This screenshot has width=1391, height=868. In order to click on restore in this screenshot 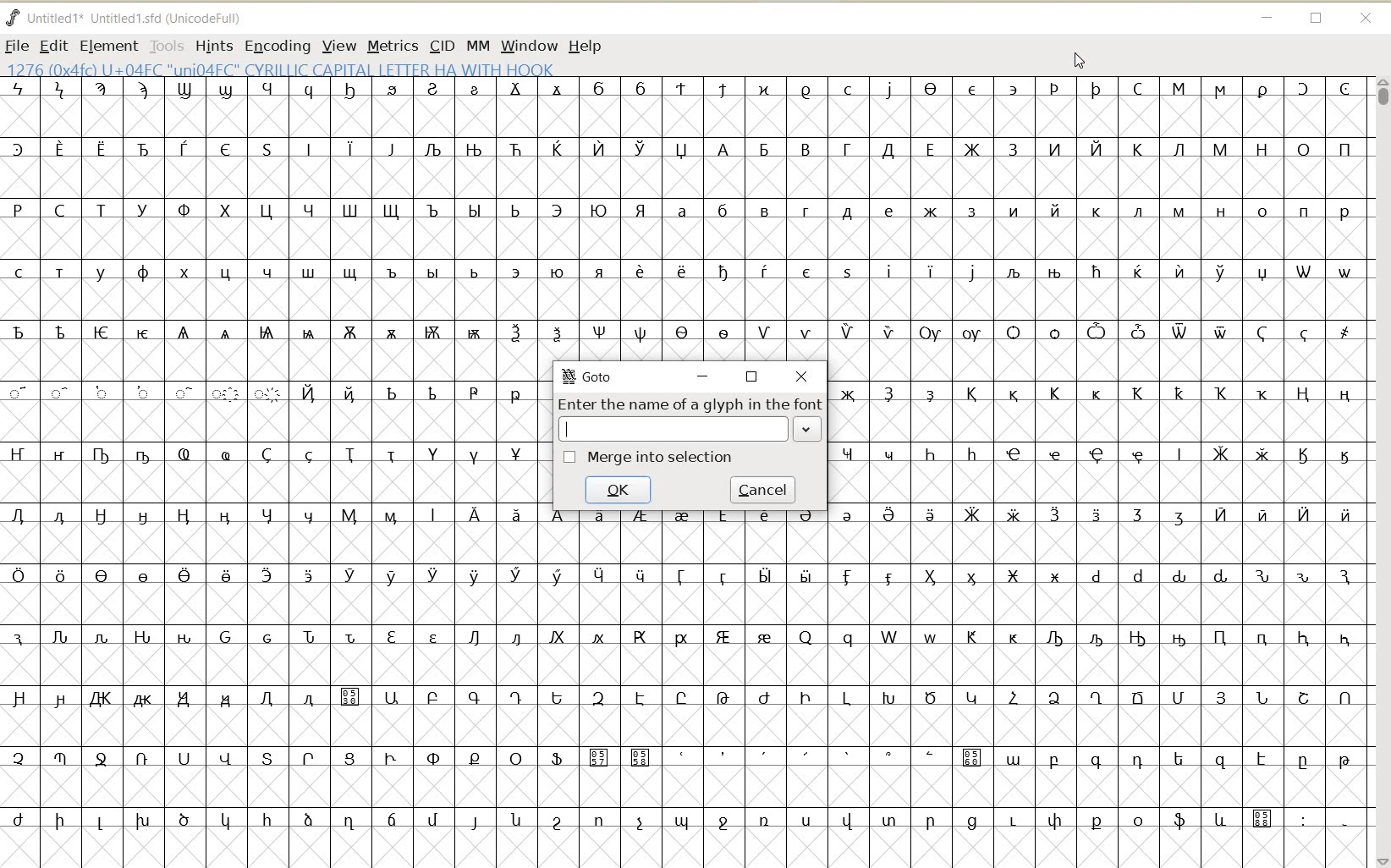, I will do `click(752, 376)`.